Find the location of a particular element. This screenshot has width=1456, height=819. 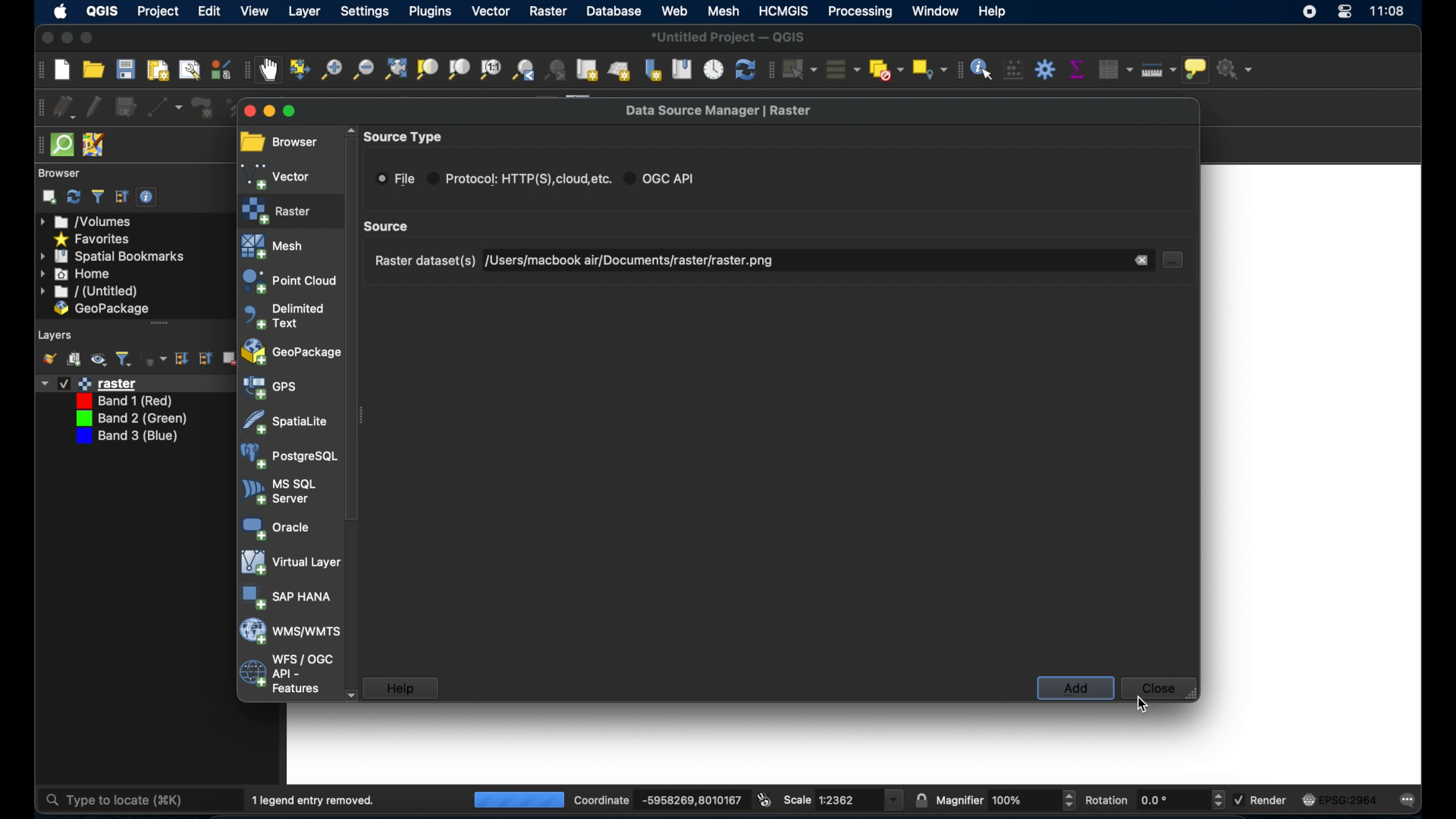

geo package is located at coordinates (101, 309).